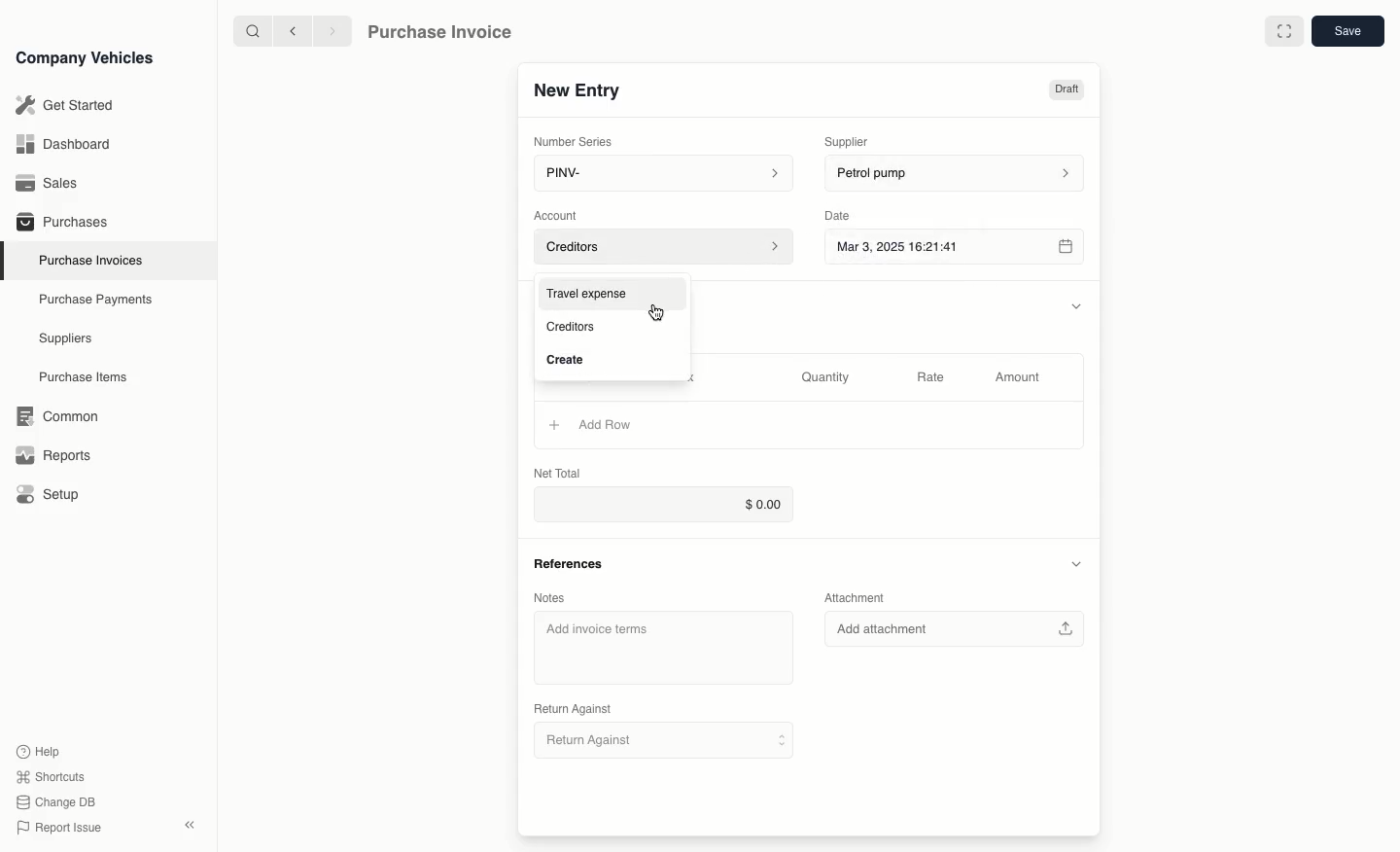 This screenshot has width=1400, height=852. I want to click on Add attachment, so click(952, 627).